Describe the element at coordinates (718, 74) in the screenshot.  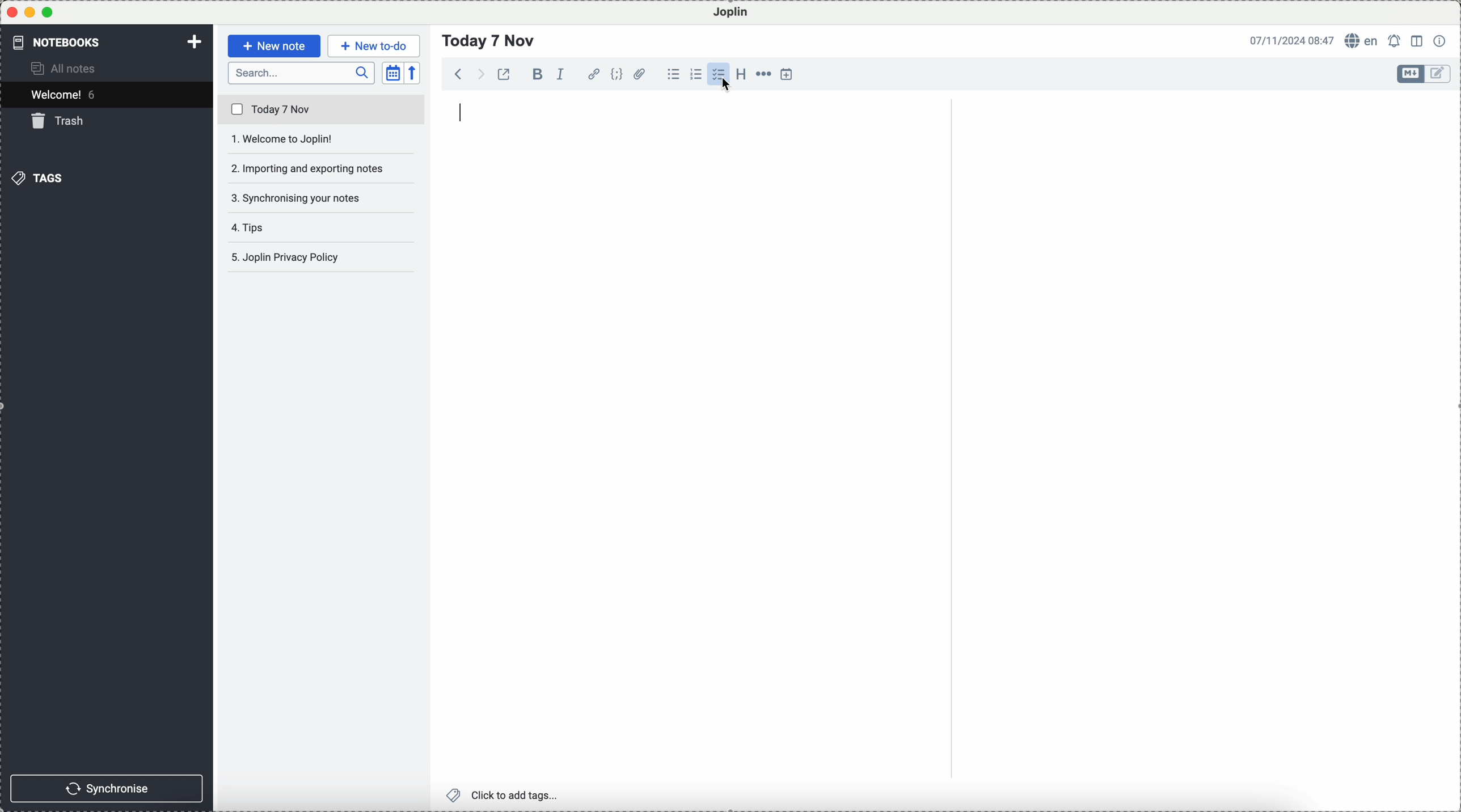
I see `checkbox` at that location.